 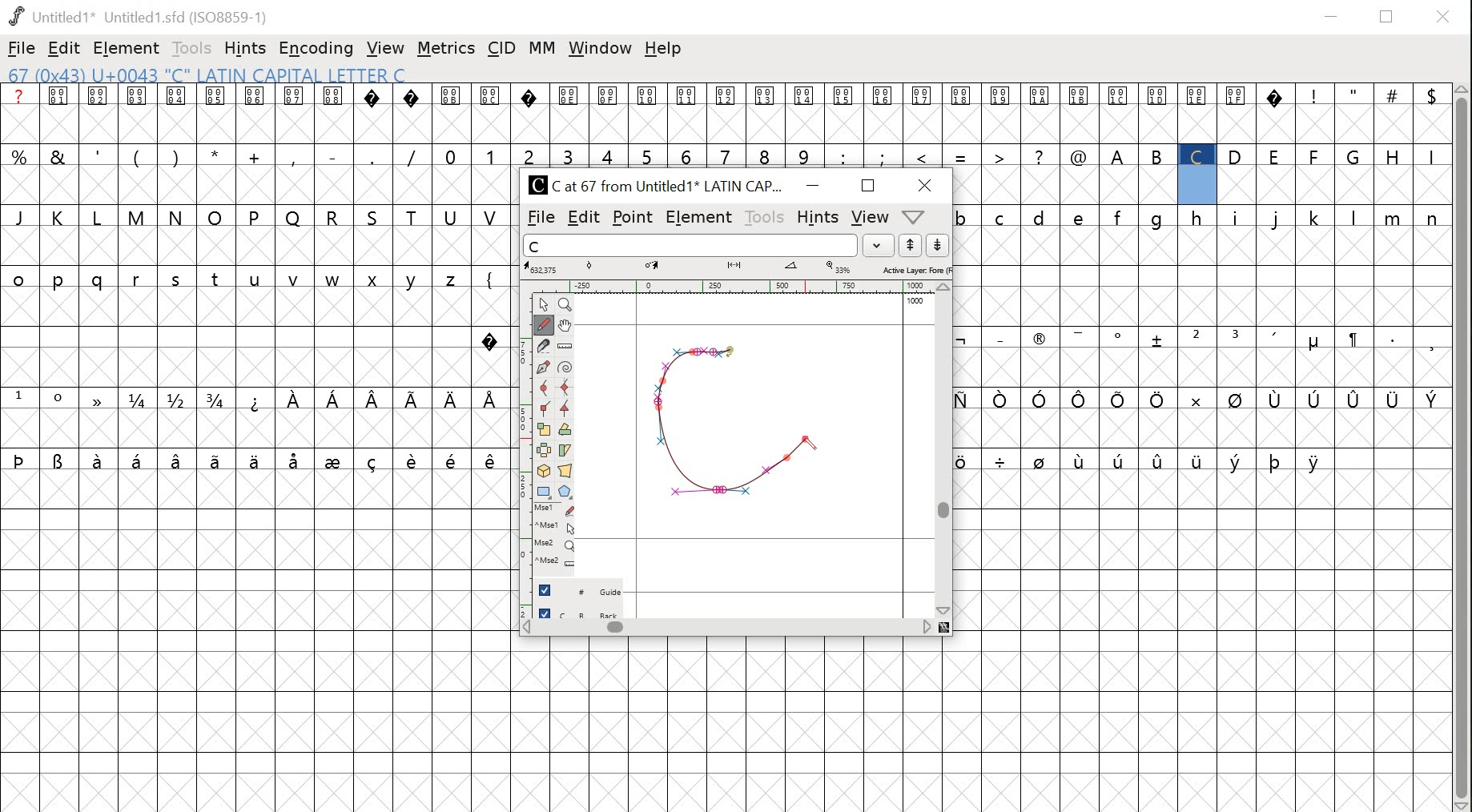 What do you see at coordinates (944, 451) in the screenshot?
I see `scrollbar` at bounding box center [944, 451].